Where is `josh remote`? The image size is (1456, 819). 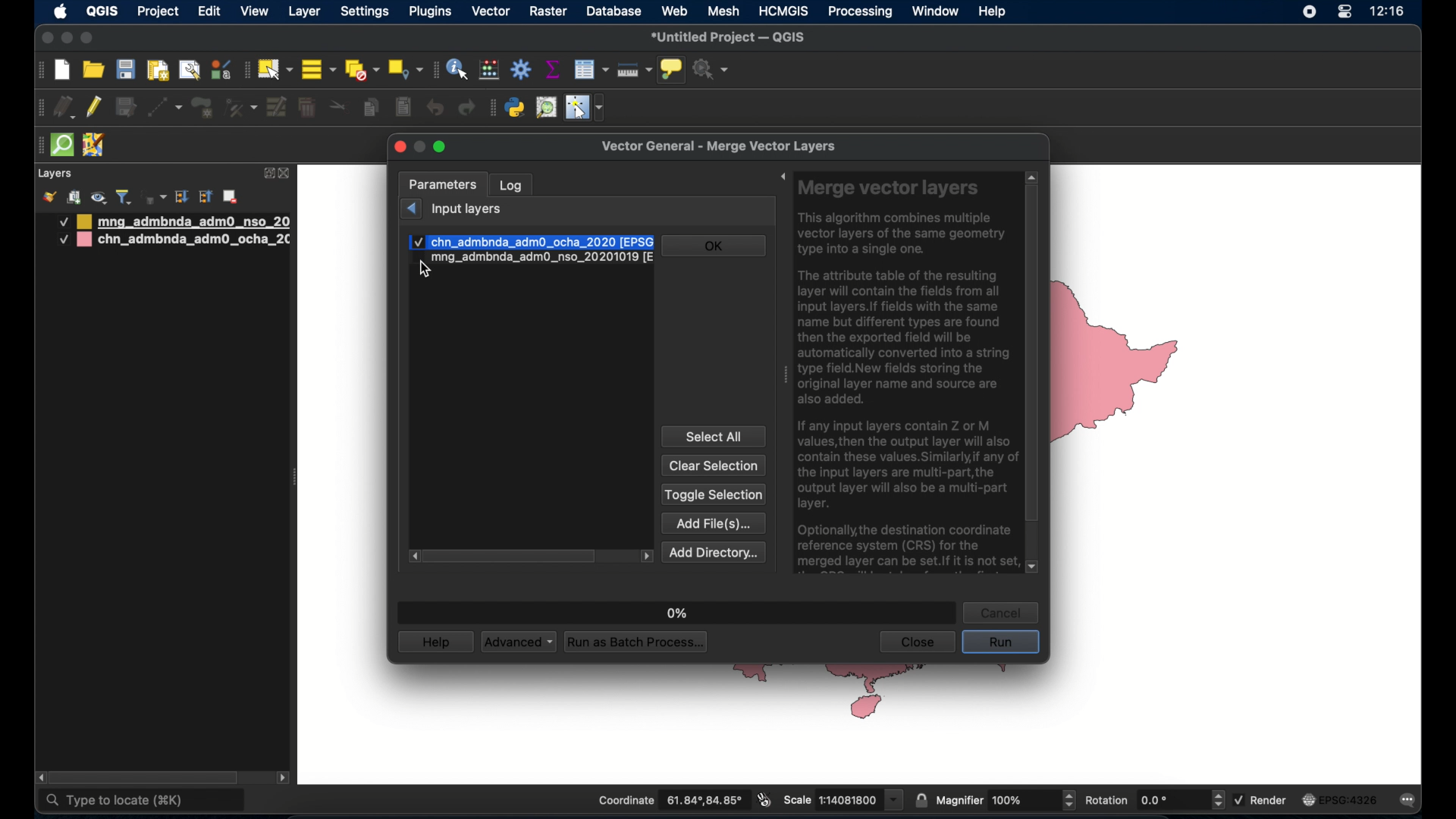 josh remote is located at coordinates (93, 146).